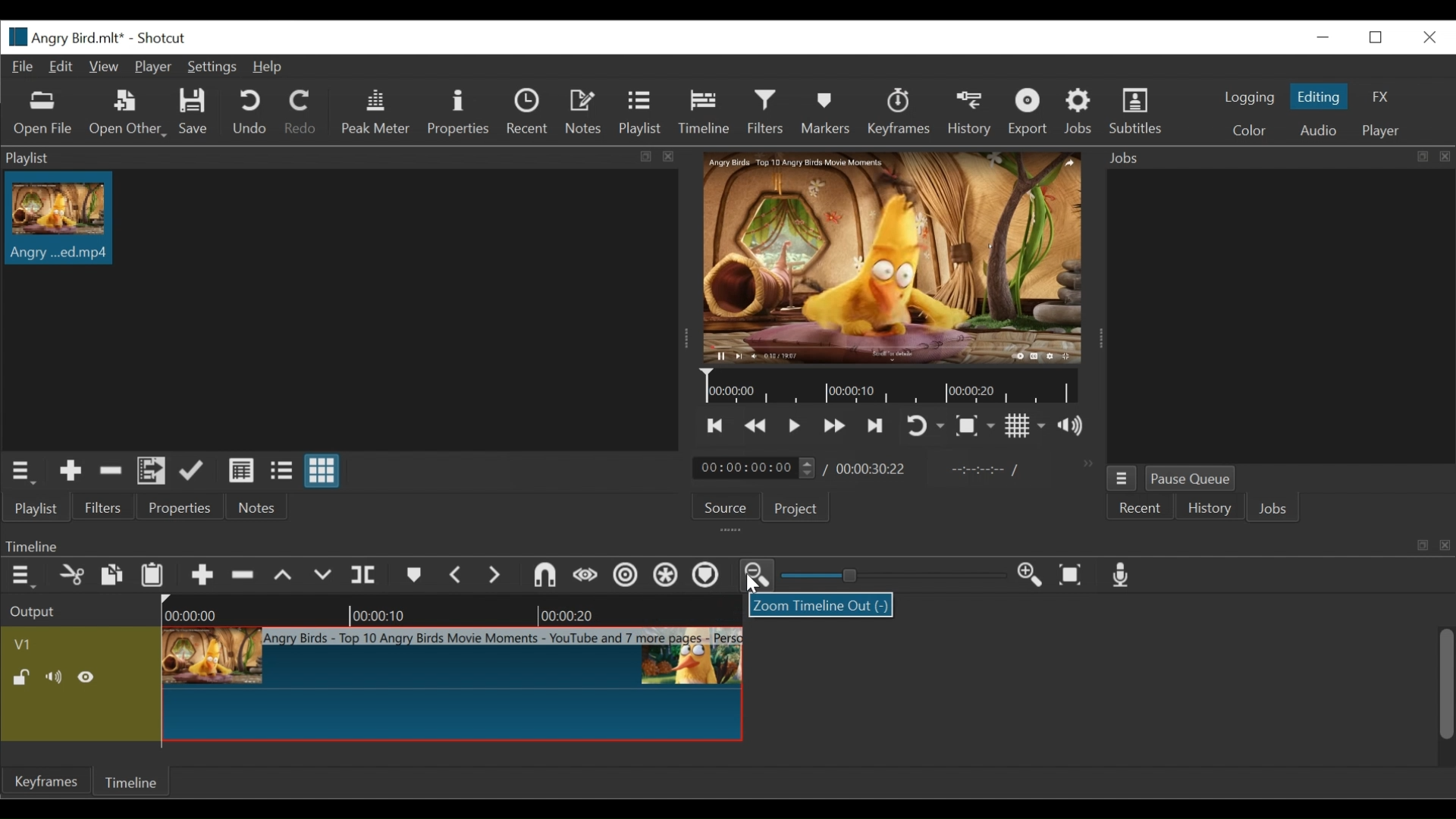 The image size is (1456, 819). What do you see at coordinates (1250, 98) in the screenshot?
I see `logging` at bounding box center [1250, 98].